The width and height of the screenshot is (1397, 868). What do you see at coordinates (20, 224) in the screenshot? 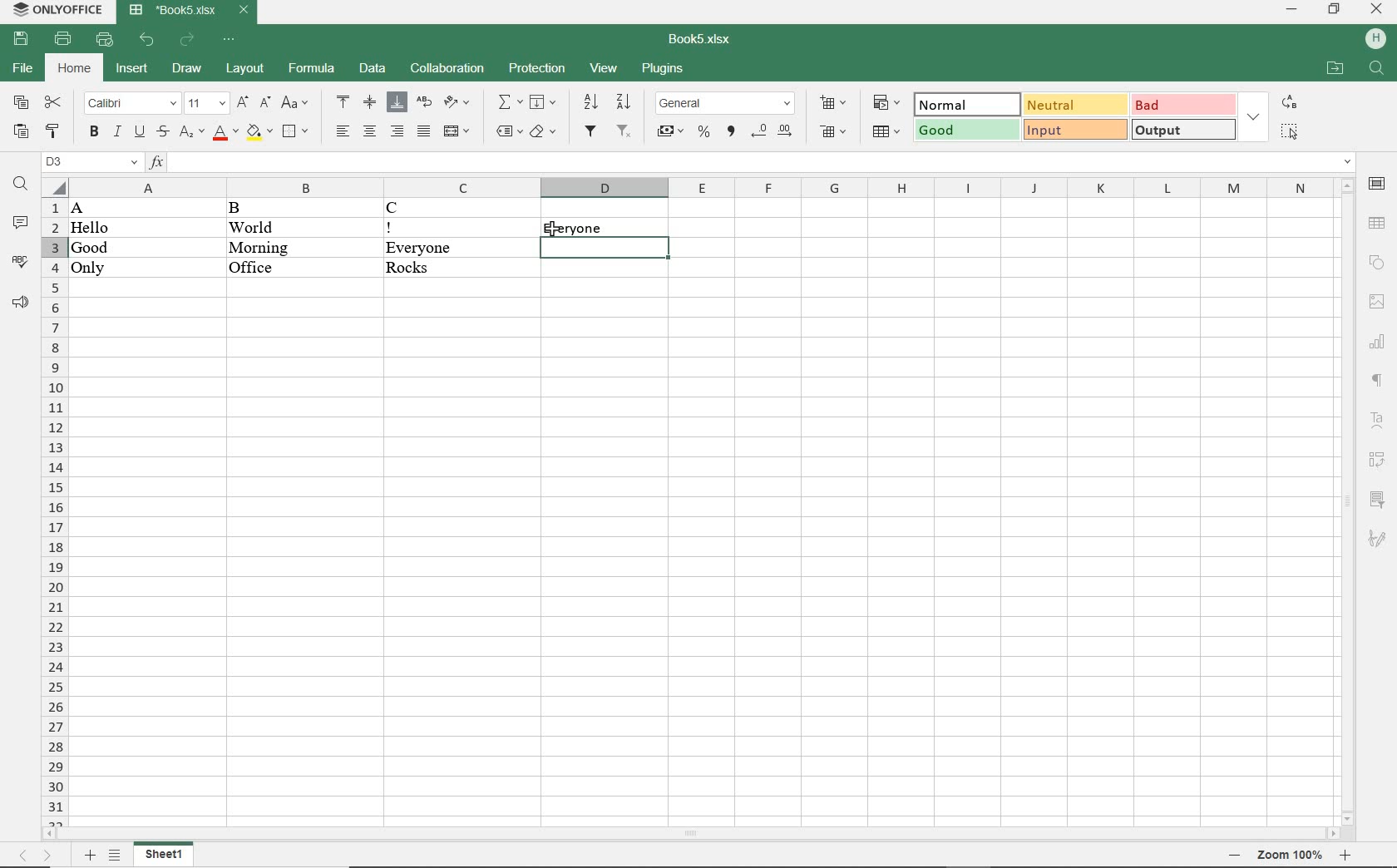
I see `comments` at bounding box center [20, 224].